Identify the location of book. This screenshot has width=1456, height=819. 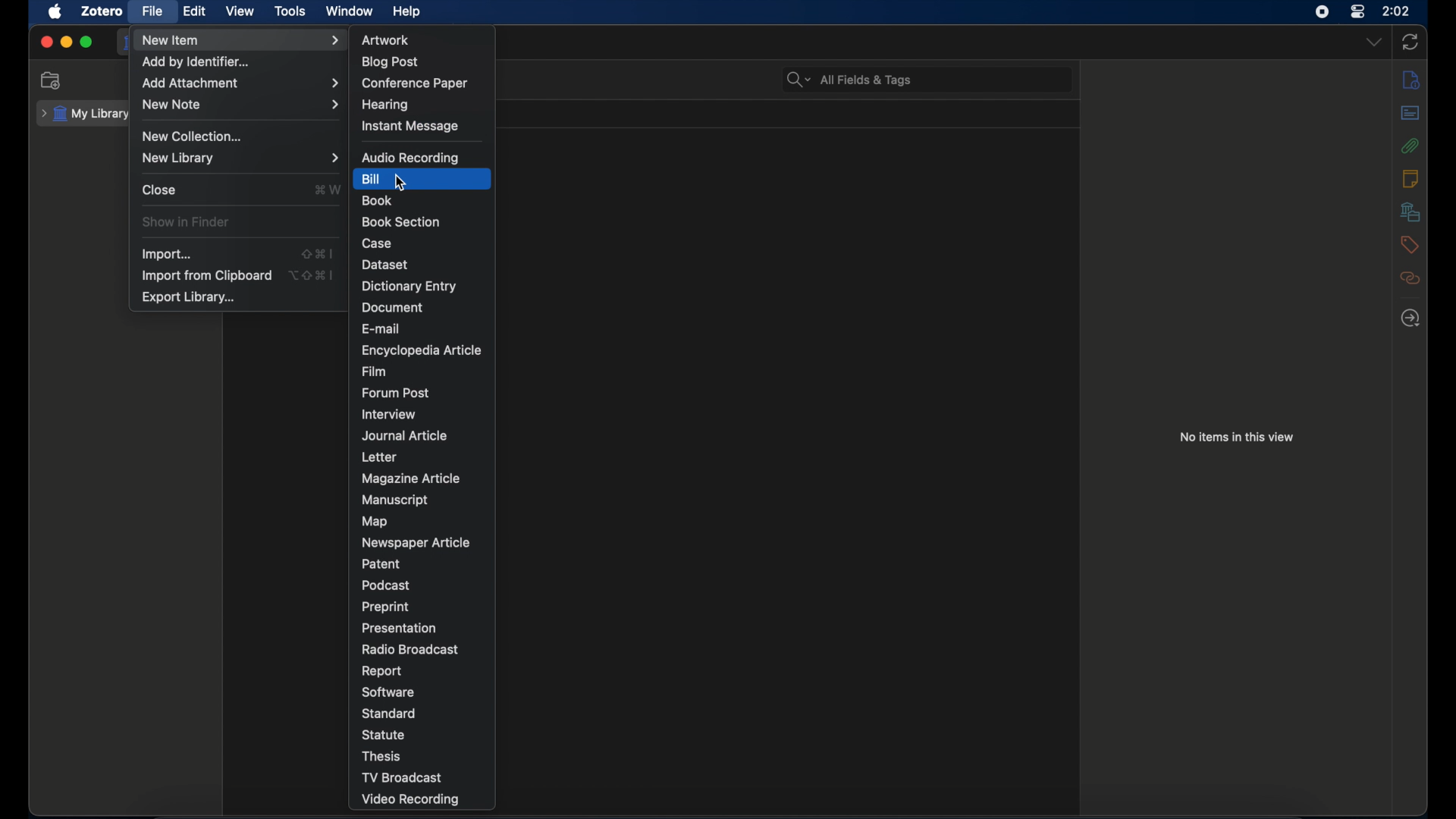
(377, 201).